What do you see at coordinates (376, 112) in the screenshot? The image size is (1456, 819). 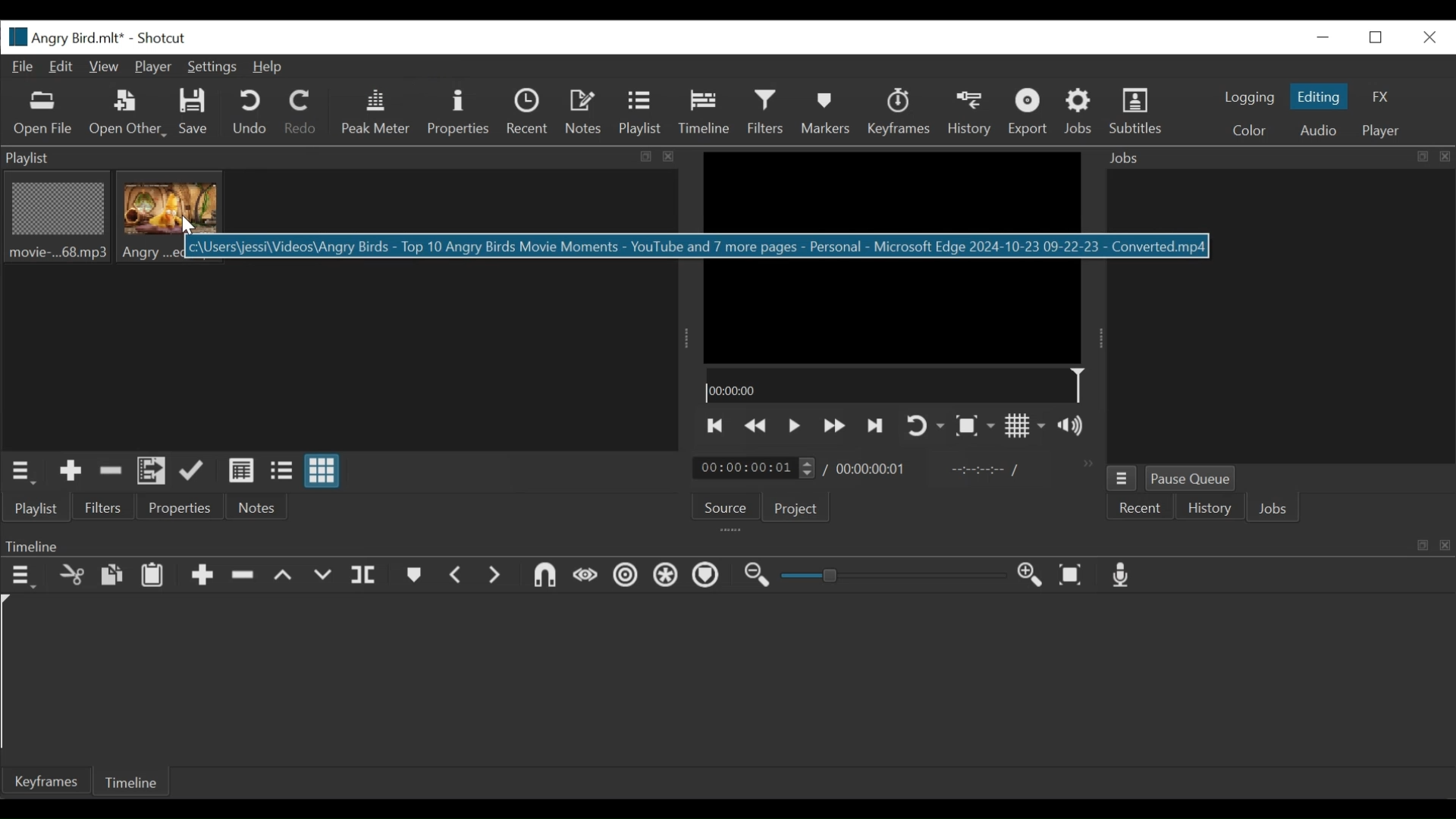 I see `Peak Meter` at bounding box center [376, 112].